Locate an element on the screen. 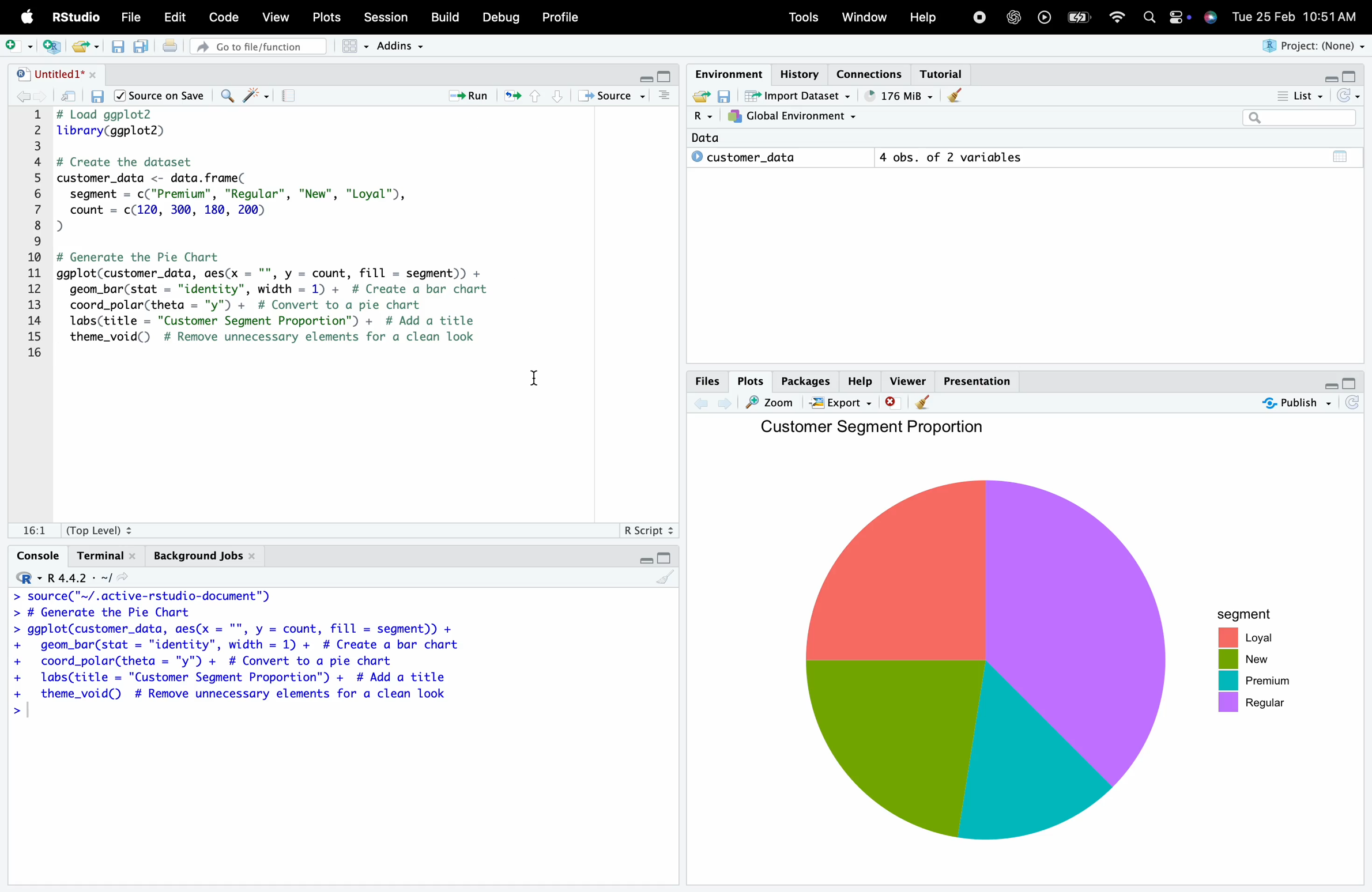 This screenshot has width=1372, height=892. Run is located at coordinates (469, 96).